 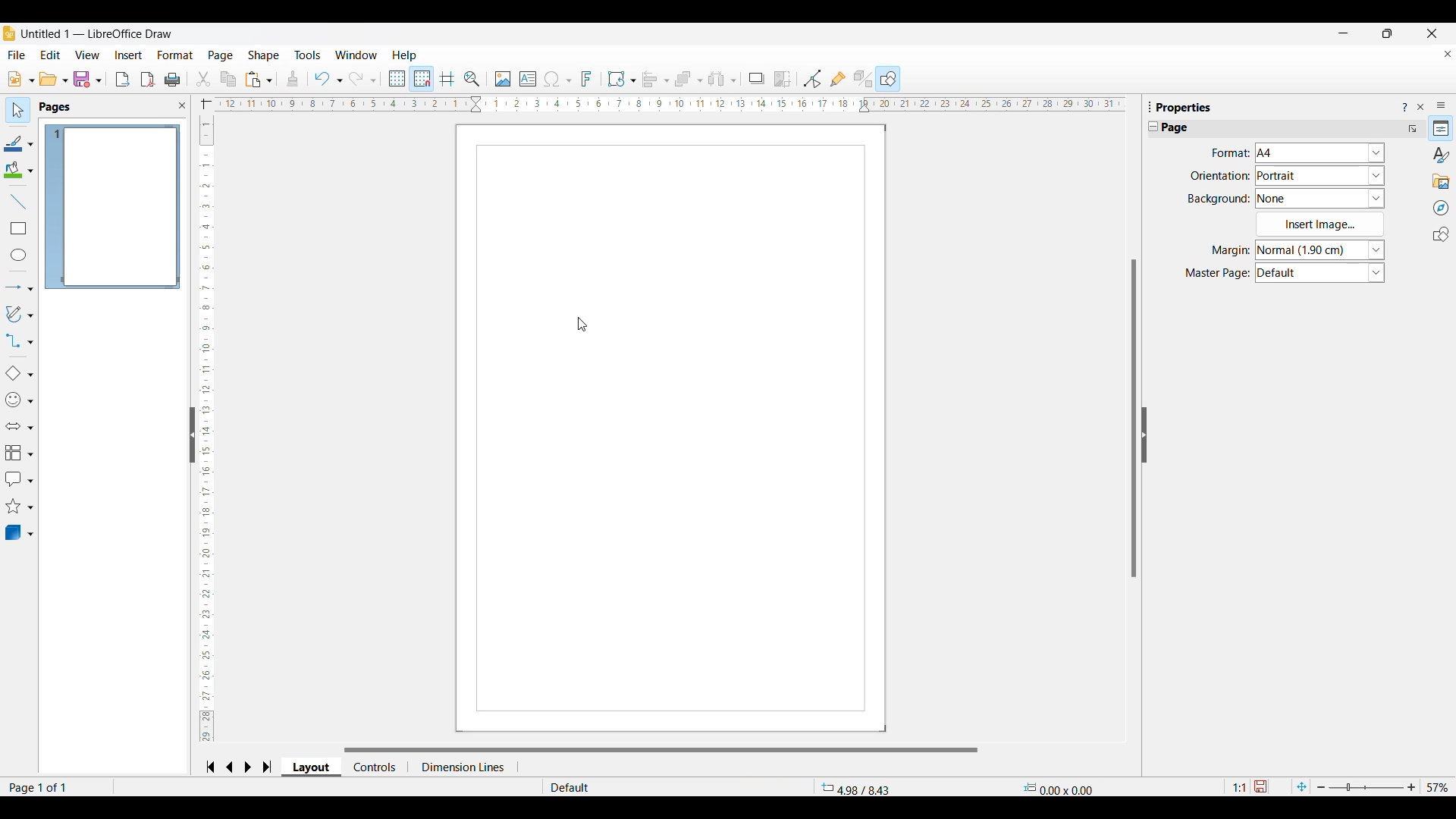 What do you see at coordinates (9, 33) in the screenshot?
I see `Software logo` at bounding box center [9, 33].